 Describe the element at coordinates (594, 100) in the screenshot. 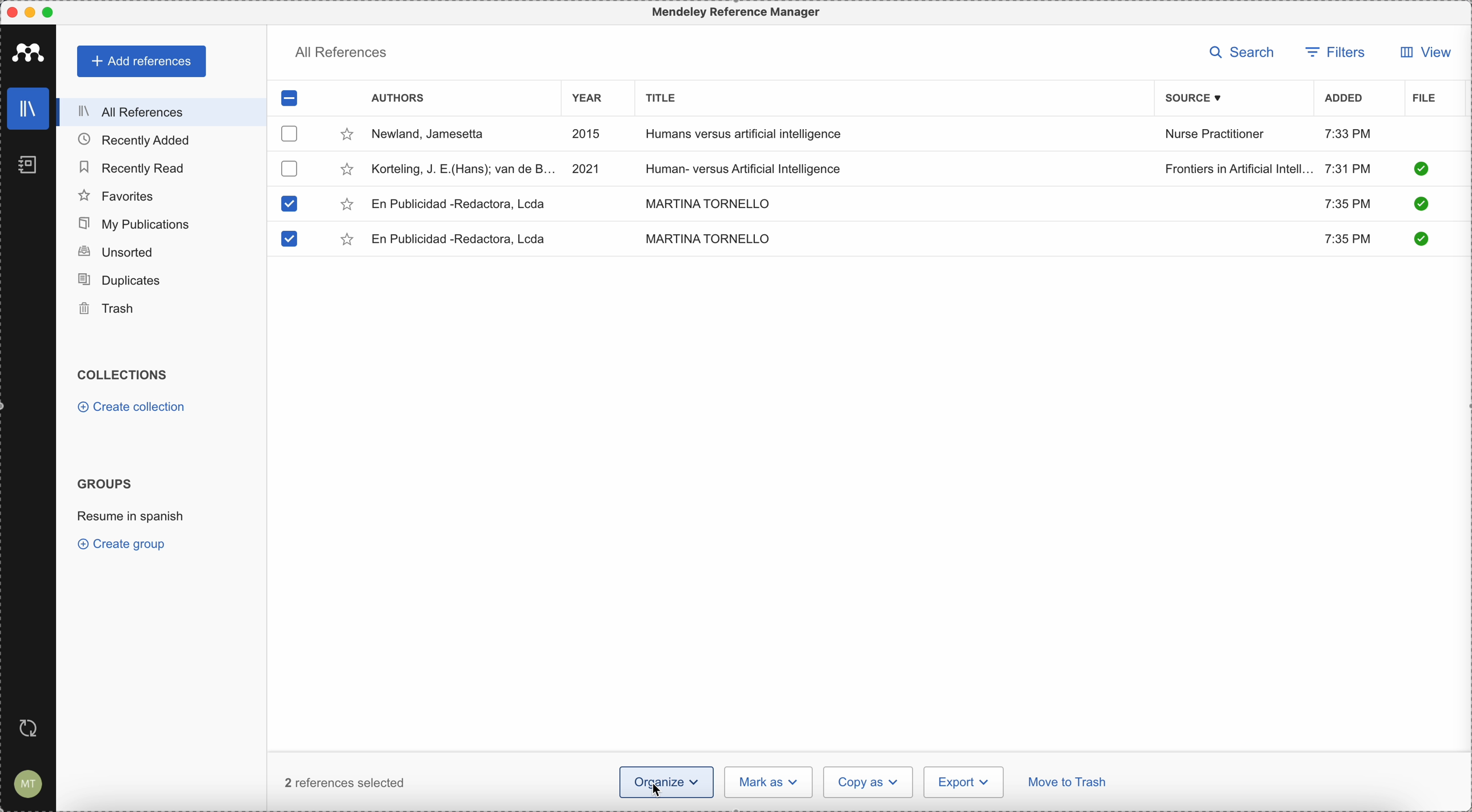

I see `year` at that location.